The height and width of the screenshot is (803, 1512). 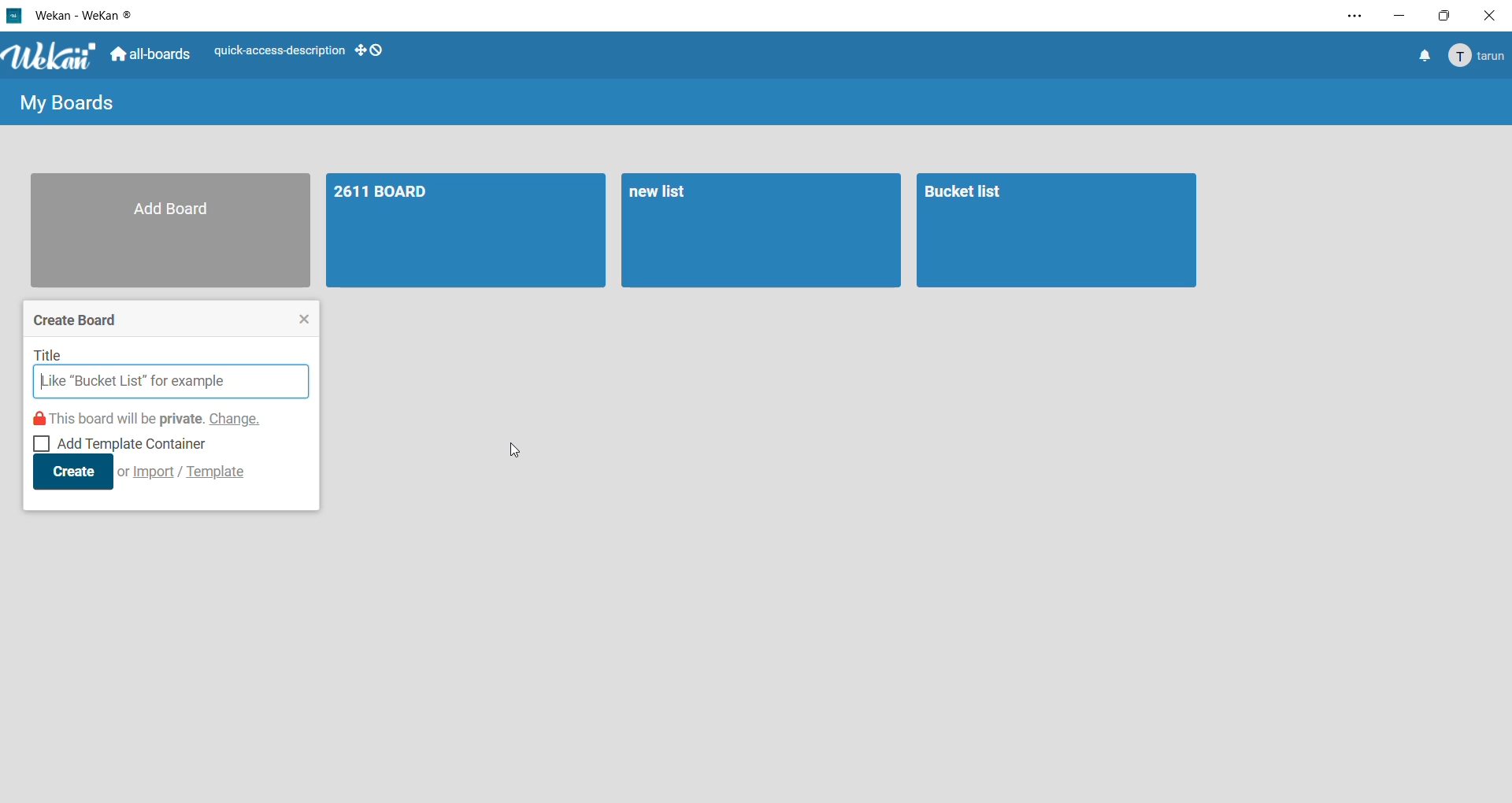 What do you see at coordinates (1479, 56) in the screenshot?
I see `Account` at bounding box center [1479, 56].